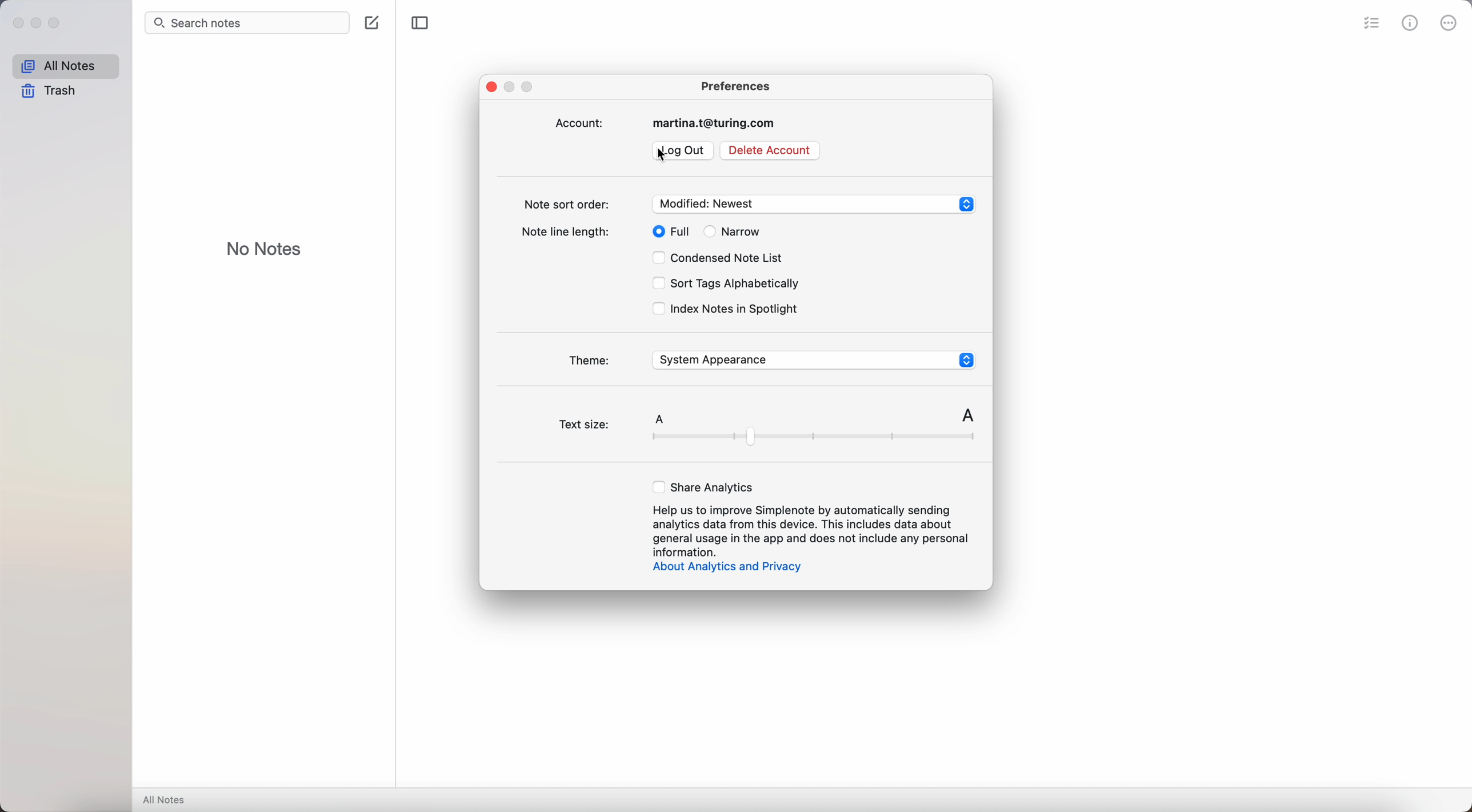 This screenshot has height=812, width=1472. Describe the element at coordinates (731, 570) in the screenshot. I see `about analytics and privacy` at that location.